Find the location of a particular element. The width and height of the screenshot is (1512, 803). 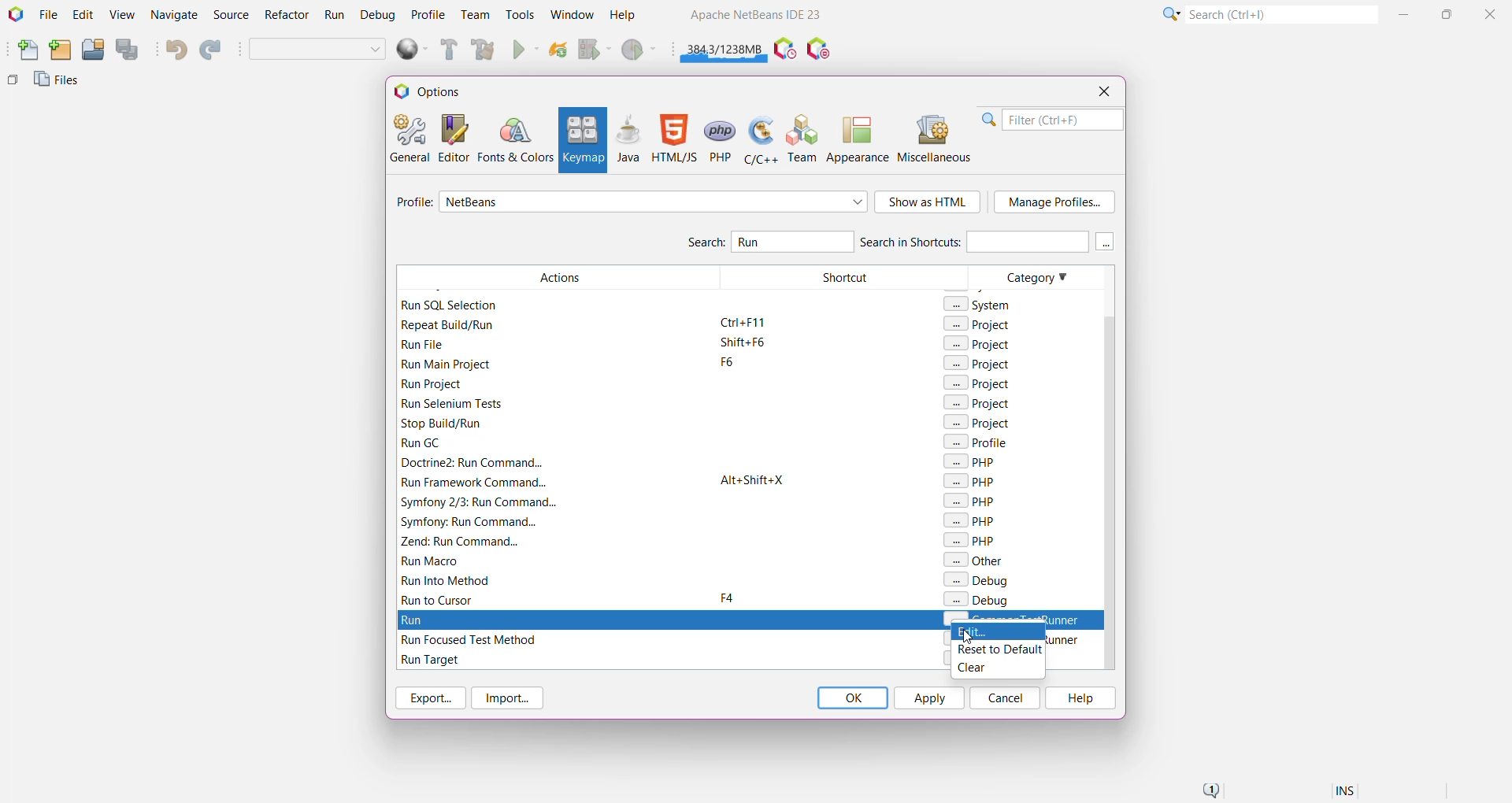

PHP is located at coordinates (721, 139).